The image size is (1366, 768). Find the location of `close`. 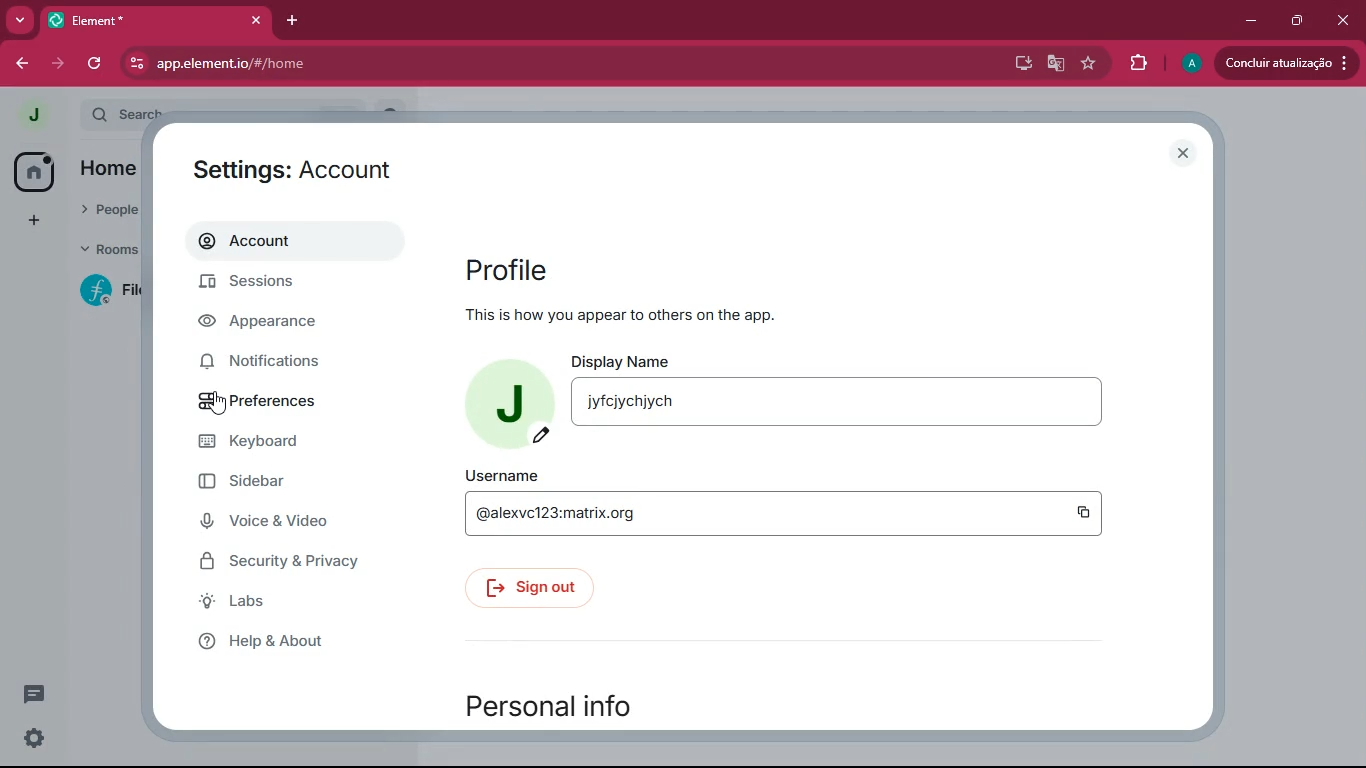

close is located at coordinates (1183, 153).